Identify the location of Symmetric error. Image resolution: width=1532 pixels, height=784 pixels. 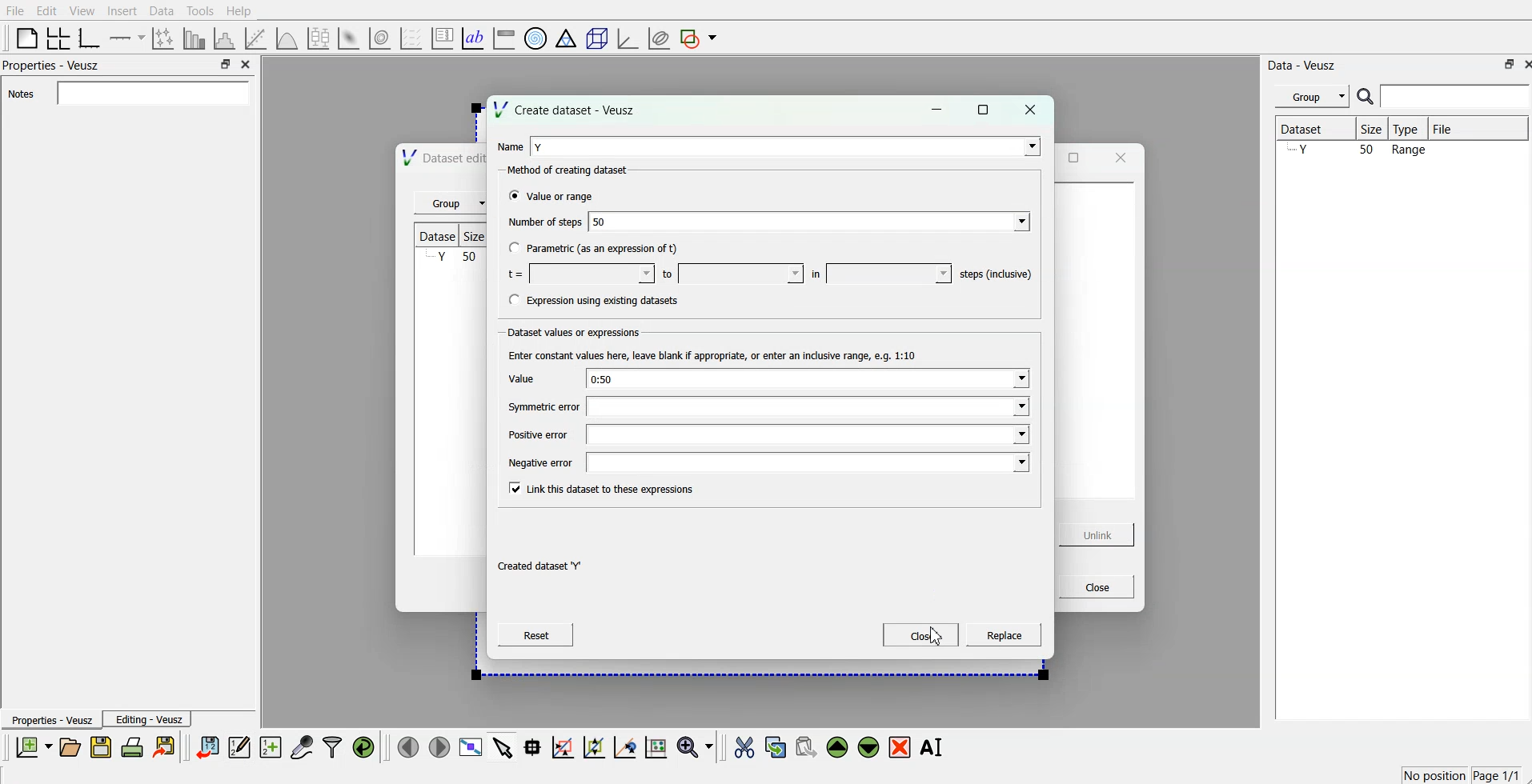
(542, 409).